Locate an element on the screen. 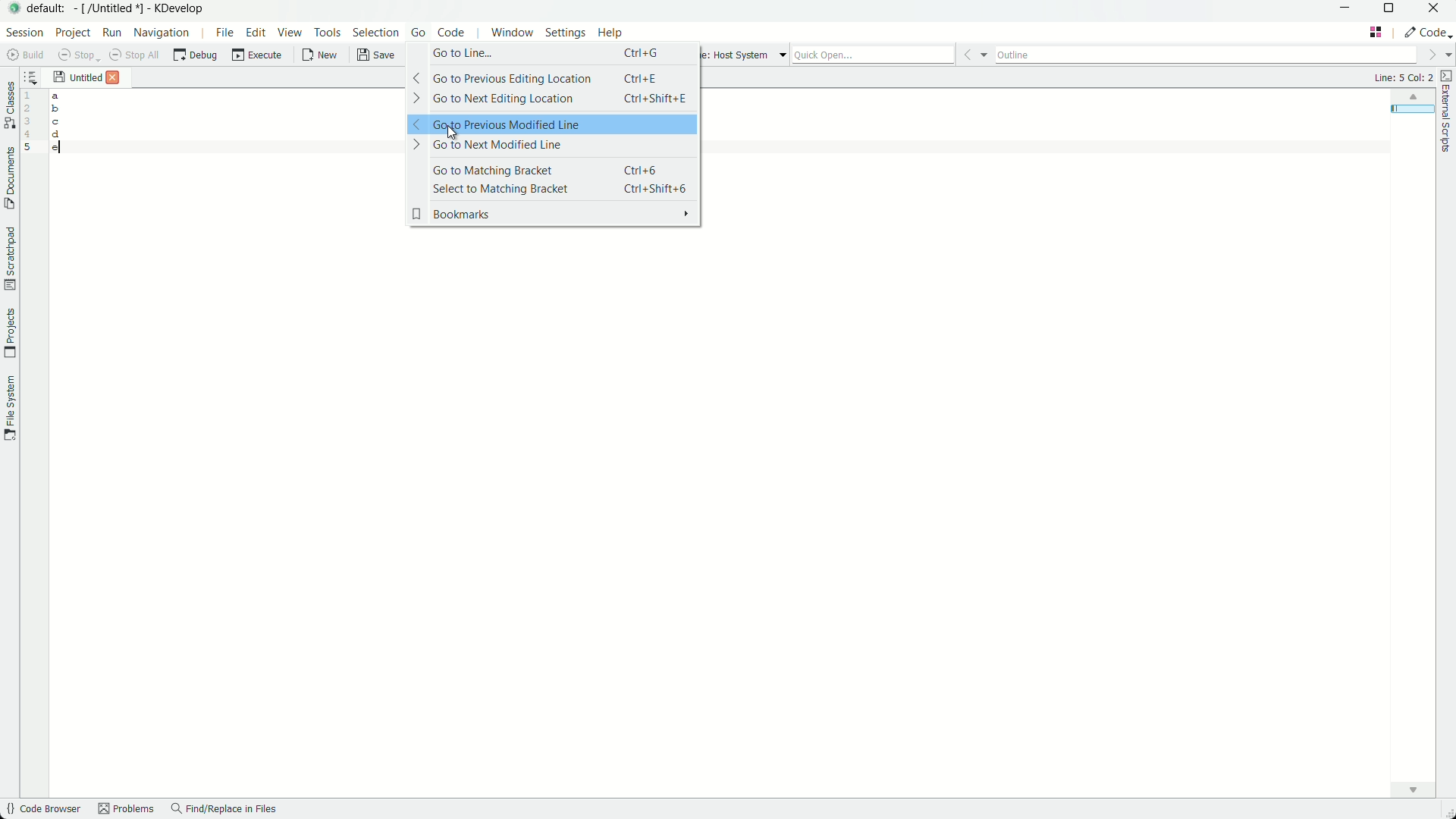  problems is located at coordinates (125, 810).